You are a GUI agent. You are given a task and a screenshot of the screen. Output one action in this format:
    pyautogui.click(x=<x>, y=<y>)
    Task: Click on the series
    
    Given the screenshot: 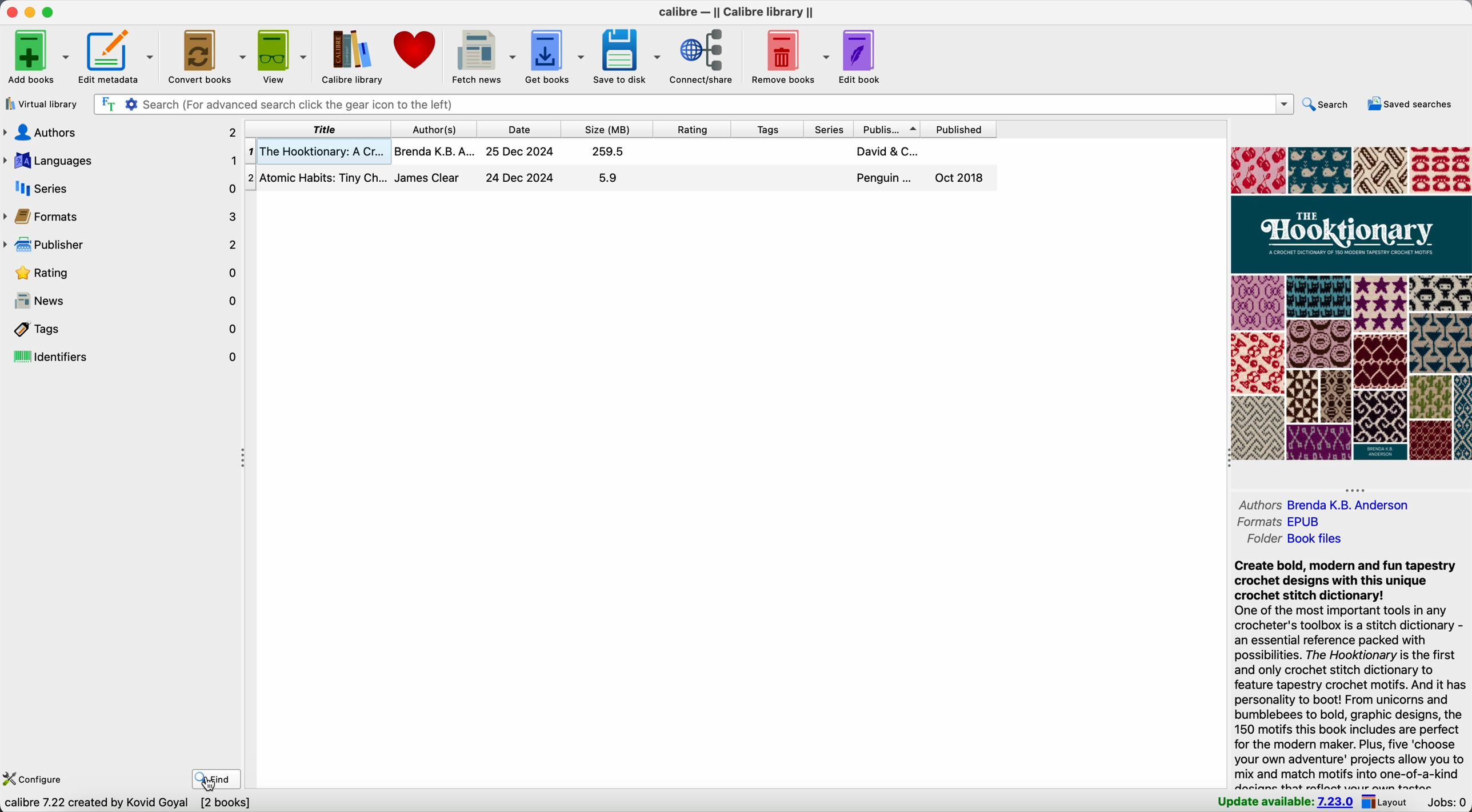 What is the action you would take?
    pyautogui.click(x=121, y=188)
    